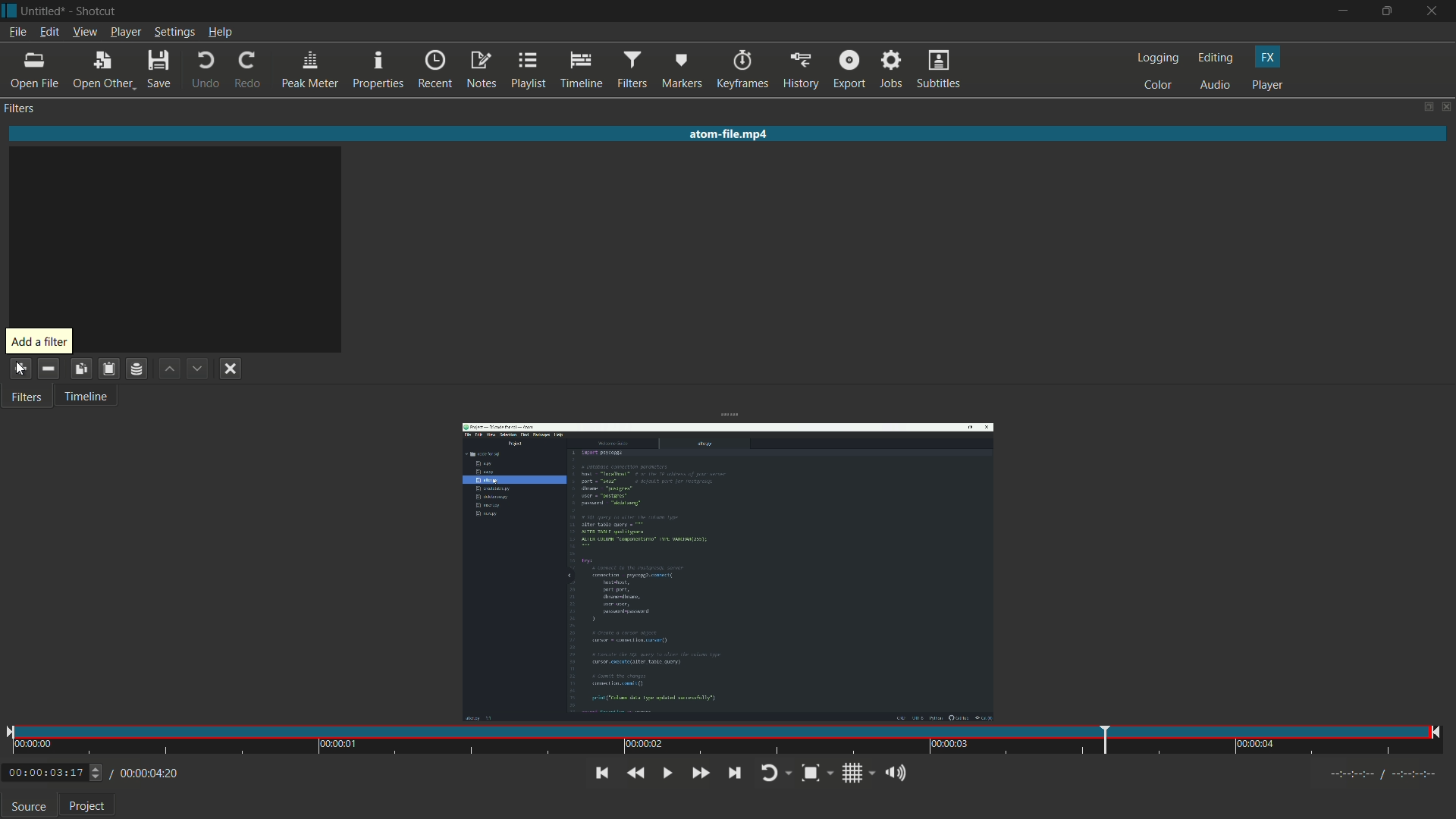 The height and width of the screenshot is (819, 1456). Describe the element at coordinates (1269, 56) in the screenshot. I see `fx` at that location.